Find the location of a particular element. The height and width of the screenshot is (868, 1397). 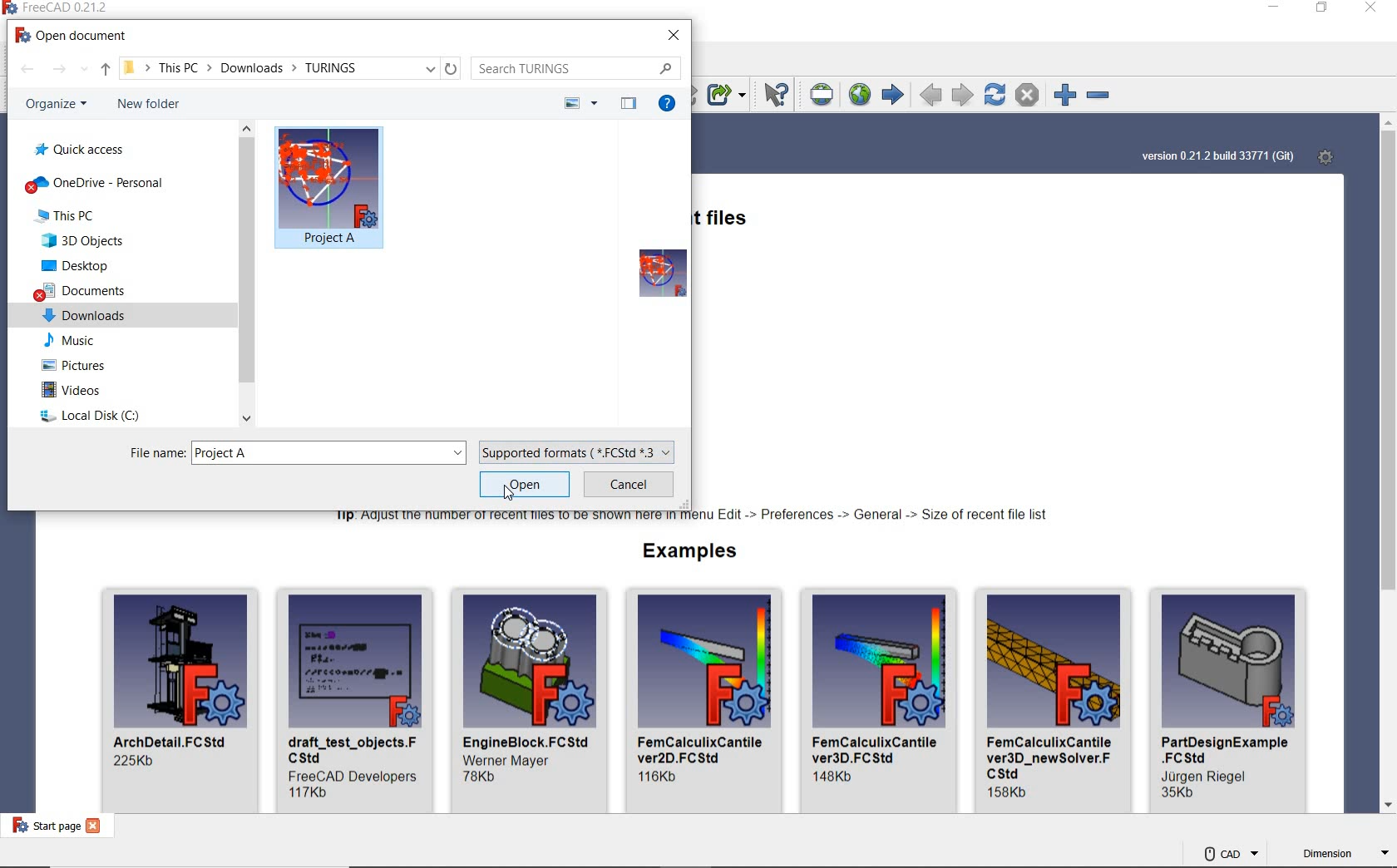

MAKE SUB-LINK is located at coordinates (726, 96).